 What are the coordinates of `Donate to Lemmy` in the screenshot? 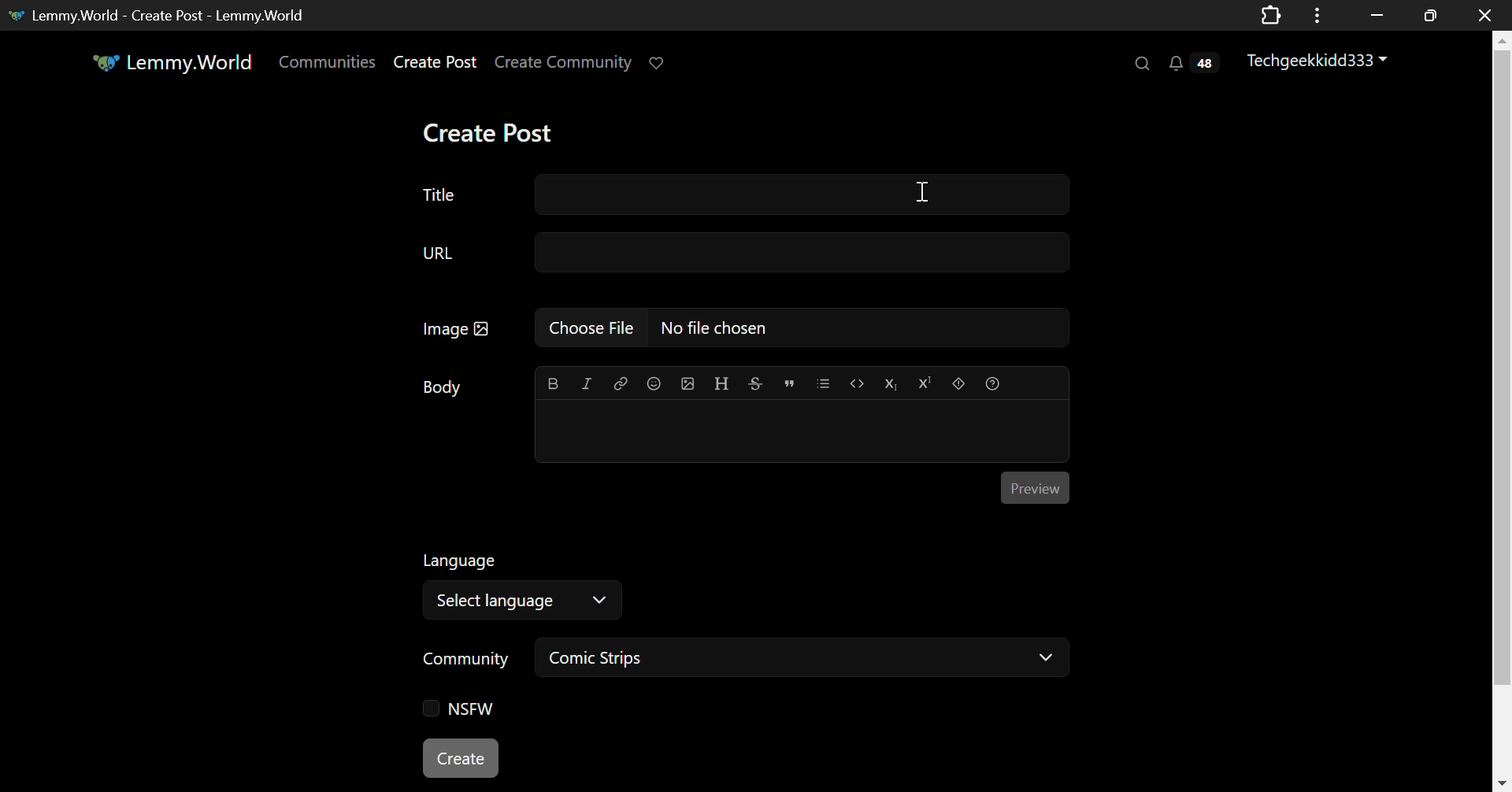 It's located at (658, 63).